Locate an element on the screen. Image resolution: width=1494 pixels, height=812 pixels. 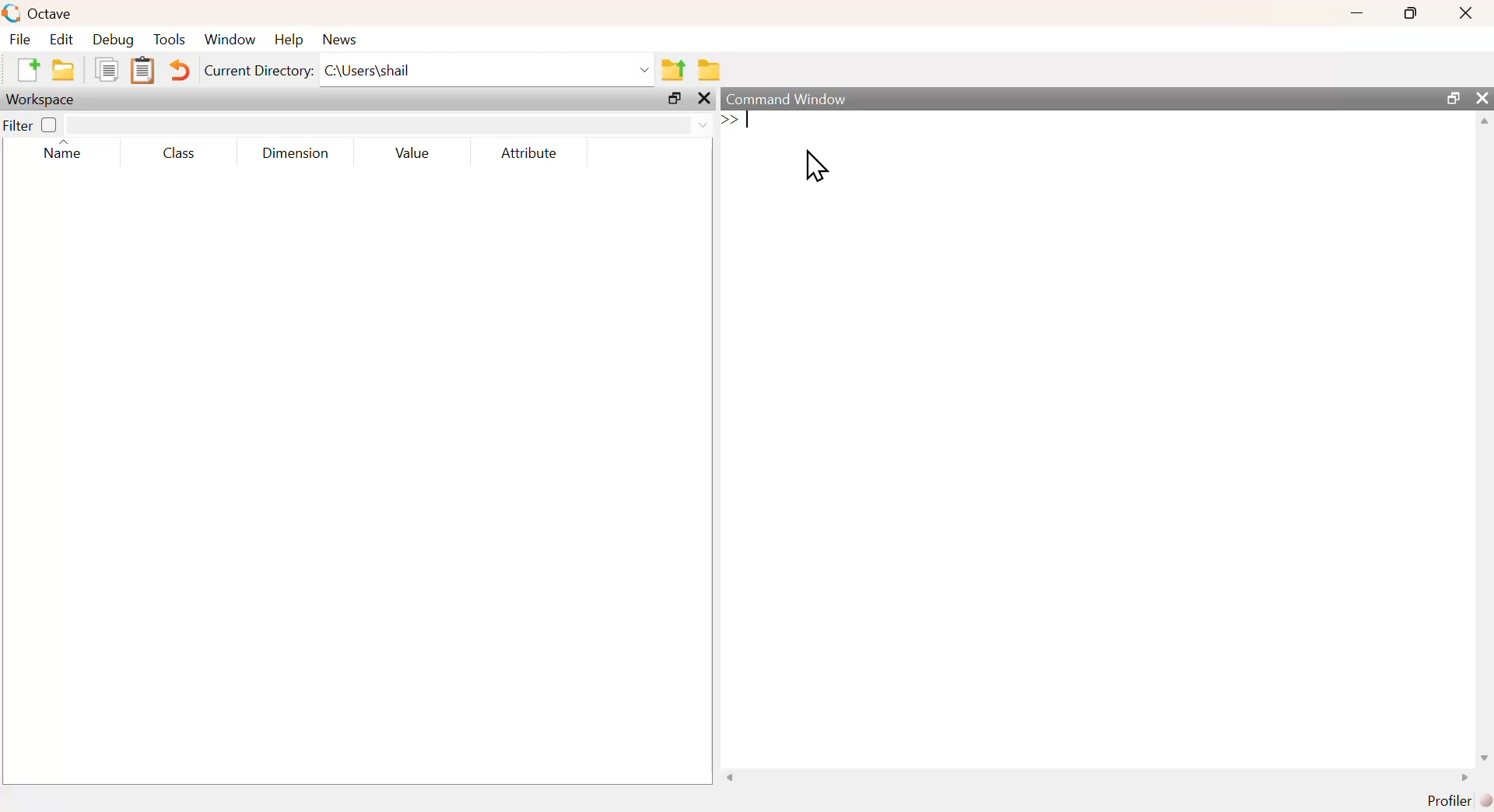
commands is located at coordinates (1012, 157).